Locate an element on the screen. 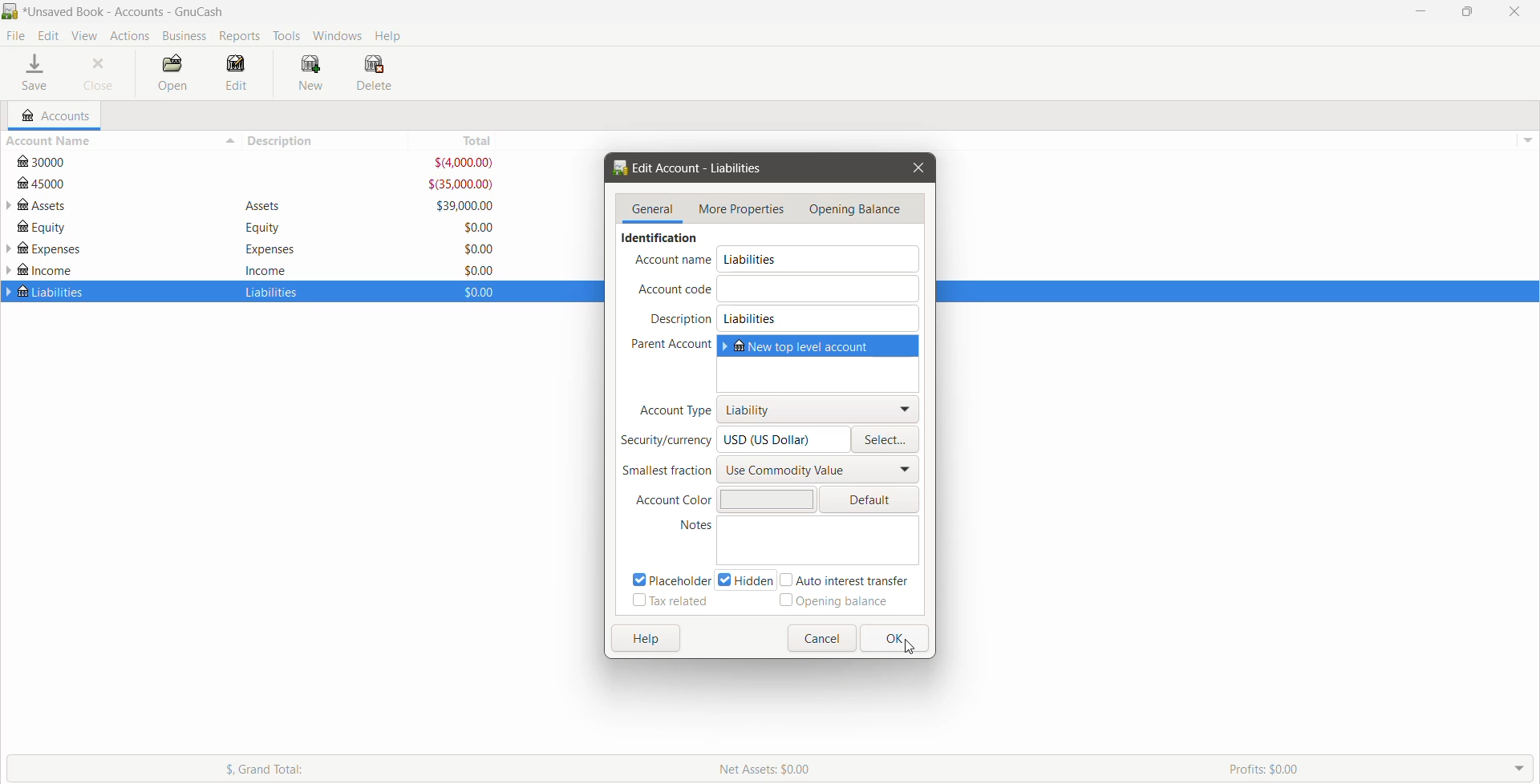 This screenshot has height=784, width=1540. Set Account code is located at coordinates (820, 288).